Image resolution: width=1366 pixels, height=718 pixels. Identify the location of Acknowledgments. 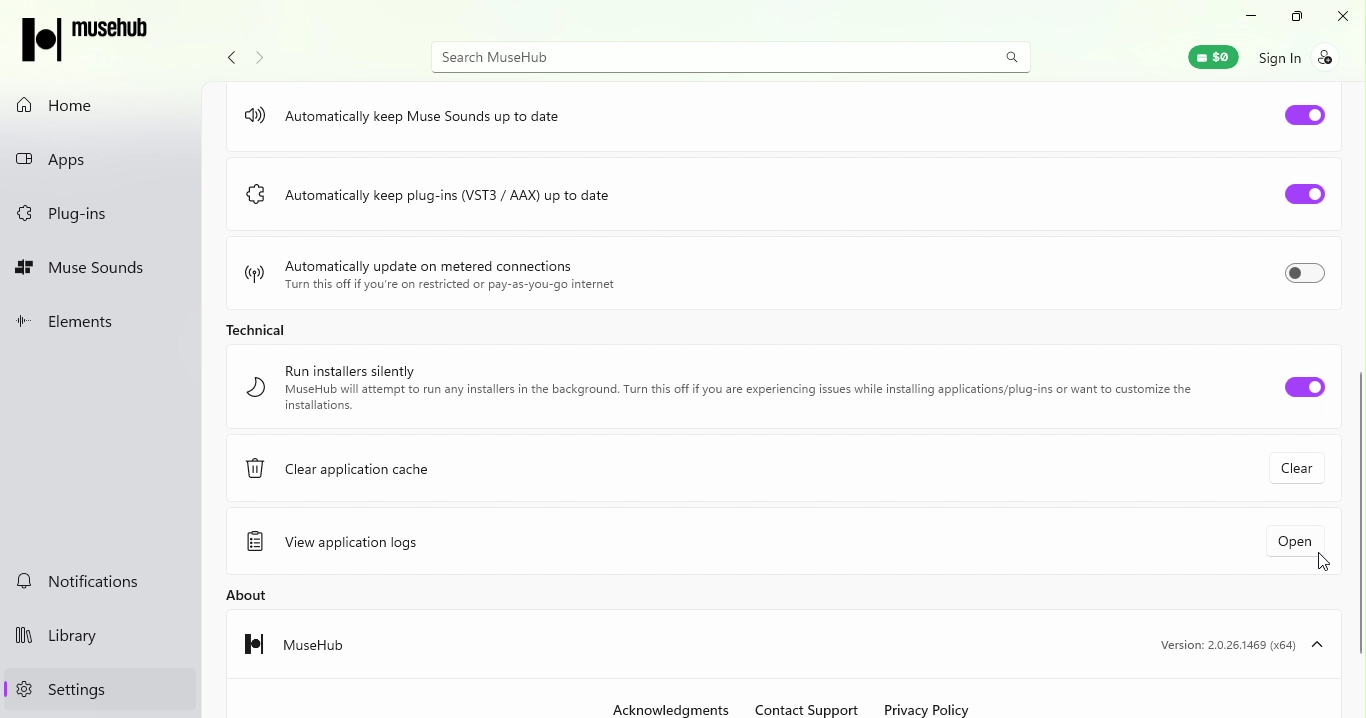
(671, 708).